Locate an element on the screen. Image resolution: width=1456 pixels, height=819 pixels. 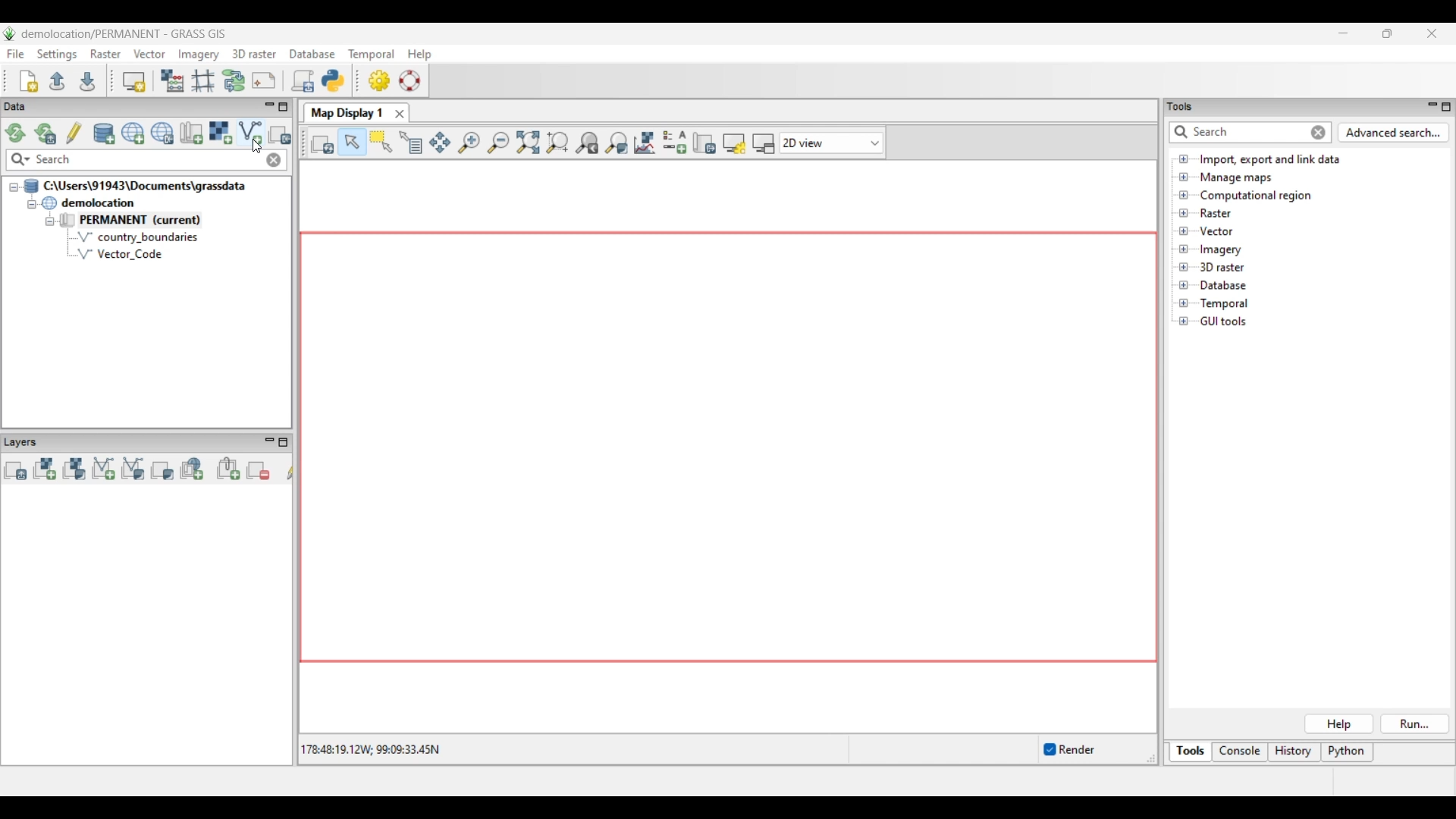
Reload GRASS projects is located at coordinates (15, 133).